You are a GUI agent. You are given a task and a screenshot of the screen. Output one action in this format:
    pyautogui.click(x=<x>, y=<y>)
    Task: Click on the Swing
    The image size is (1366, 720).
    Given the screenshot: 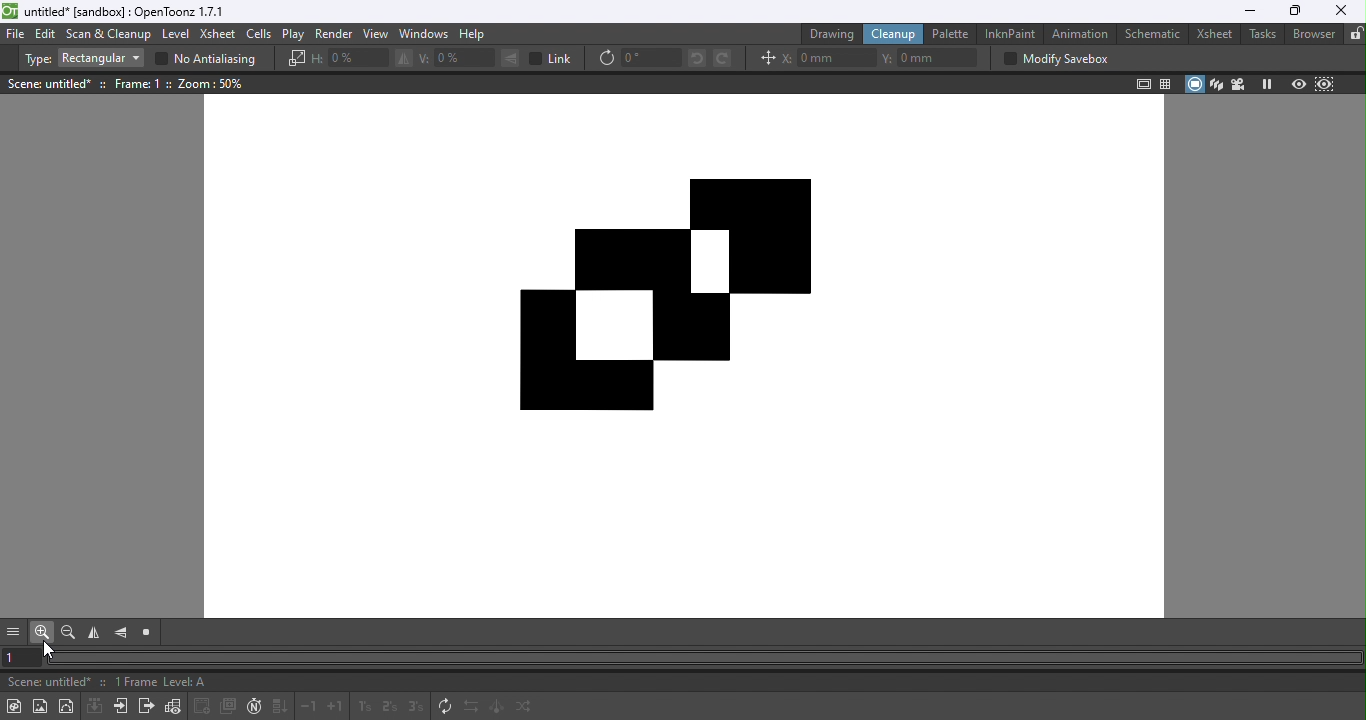 What is the action you would take?
    pyautogui.click(x=498, y=708)
    